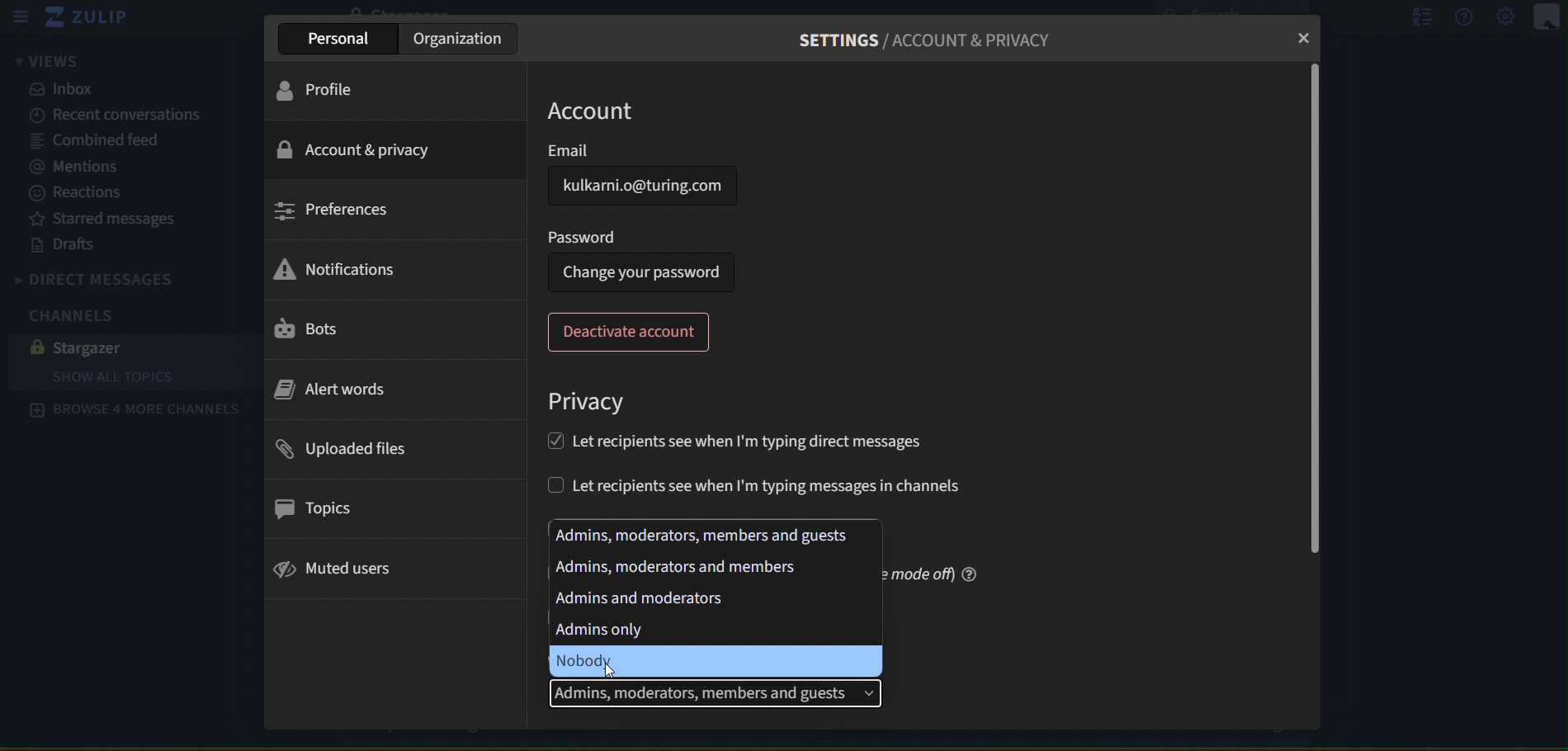 The height and width of the screenshot is (751, 1568). What do you see at coordinates (343, 38) in the screenshot?
I see `personal` at bounding box center [343, 38].